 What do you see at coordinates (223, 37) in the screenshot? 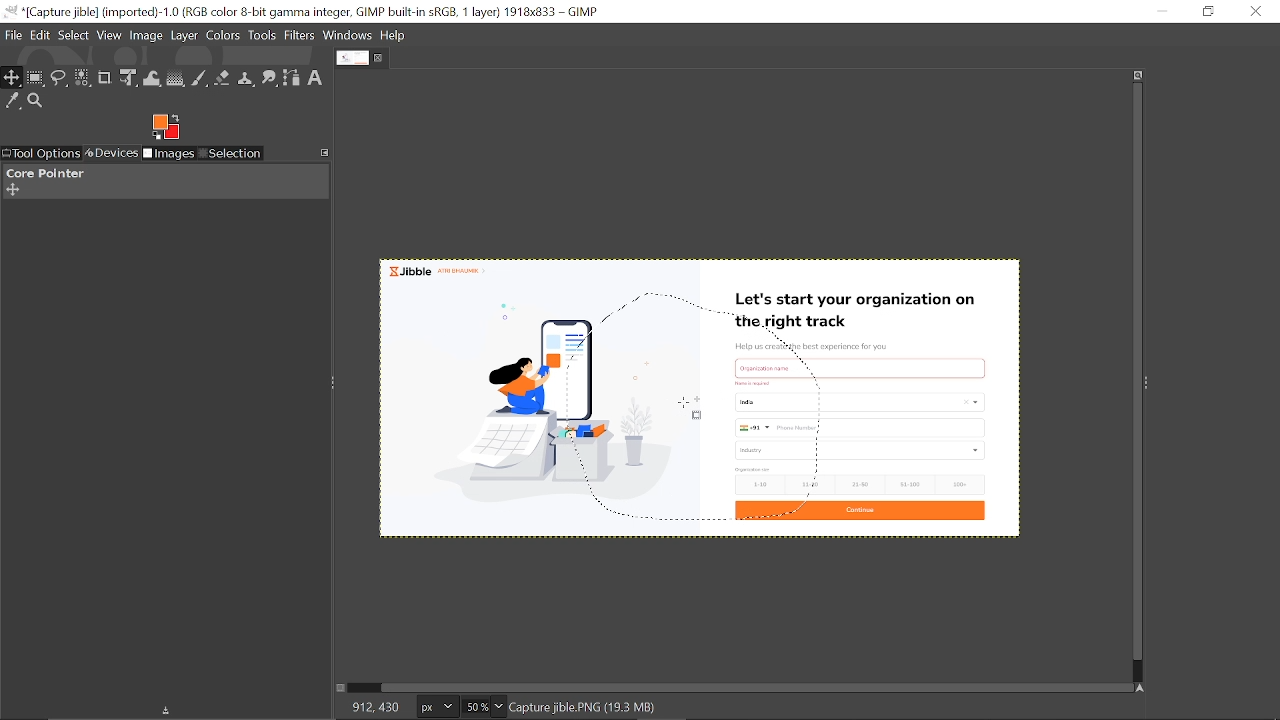
I see `Colors` at bounding box center [223, 37].